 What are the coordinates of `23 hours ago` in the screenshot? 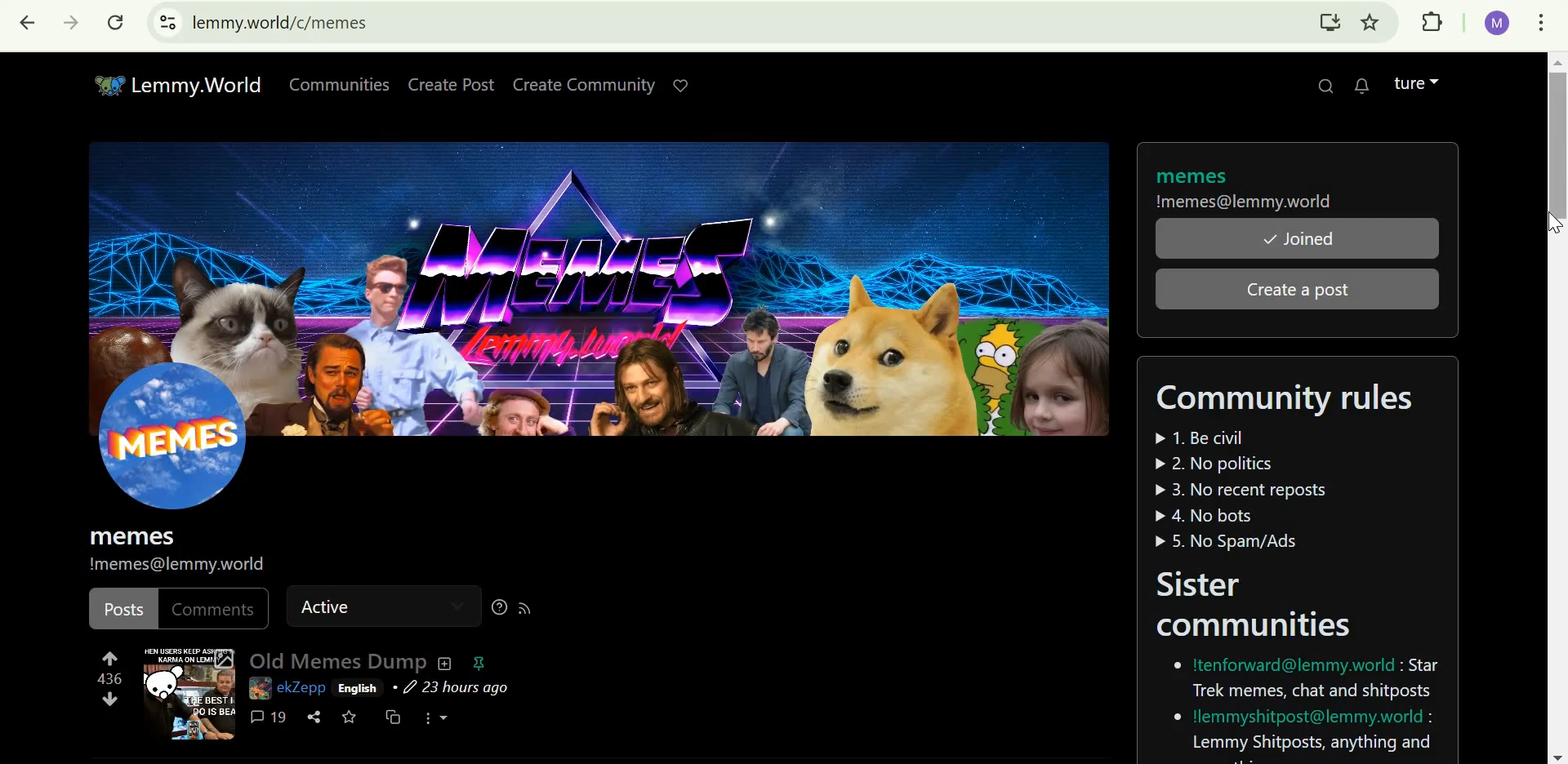 It's located at (452, 687).